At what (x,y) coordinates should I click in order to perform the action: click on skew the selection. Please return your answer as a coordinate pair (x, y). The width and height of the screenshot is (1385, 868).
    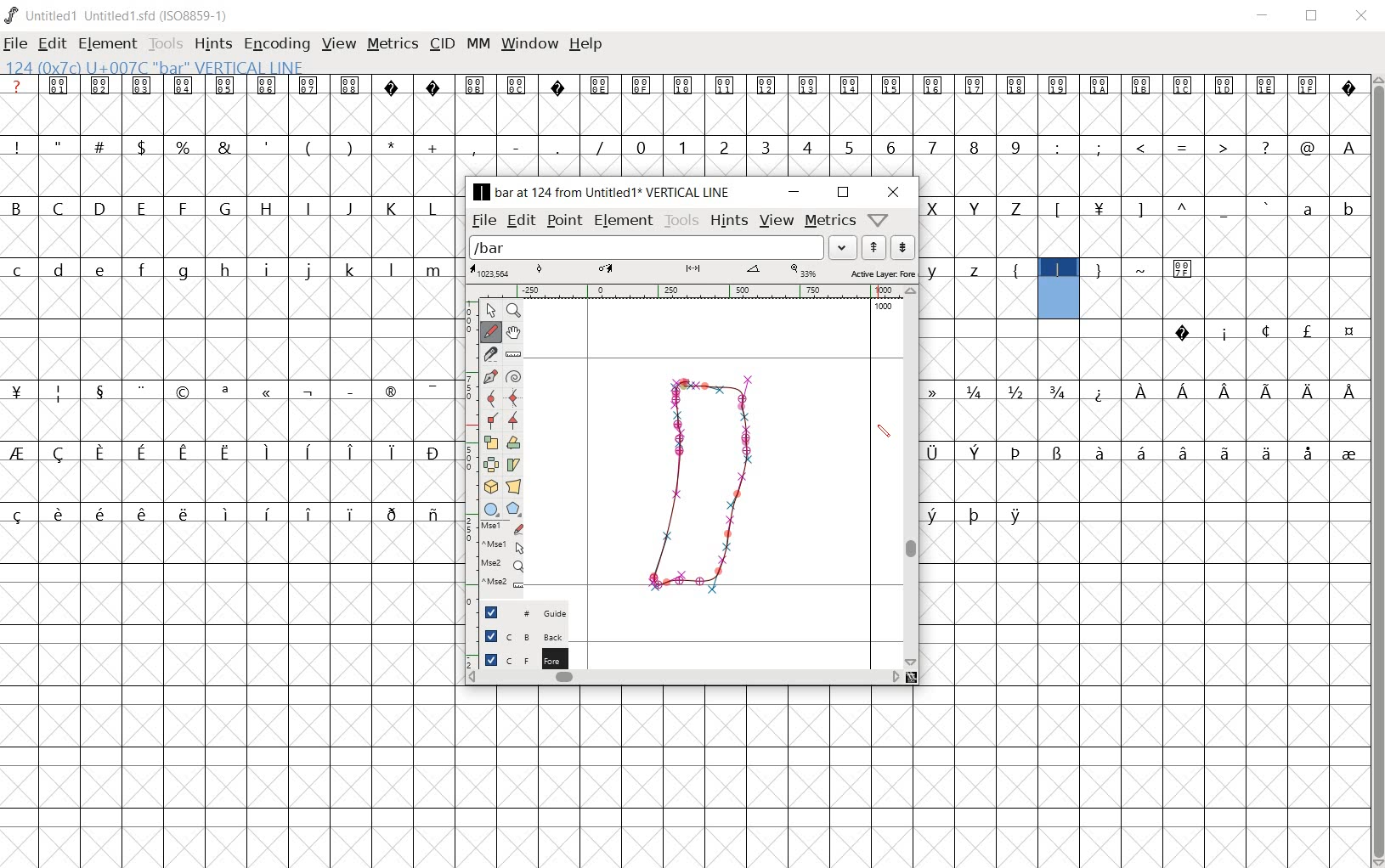
    Looking at the image, I should click on (514, 465).